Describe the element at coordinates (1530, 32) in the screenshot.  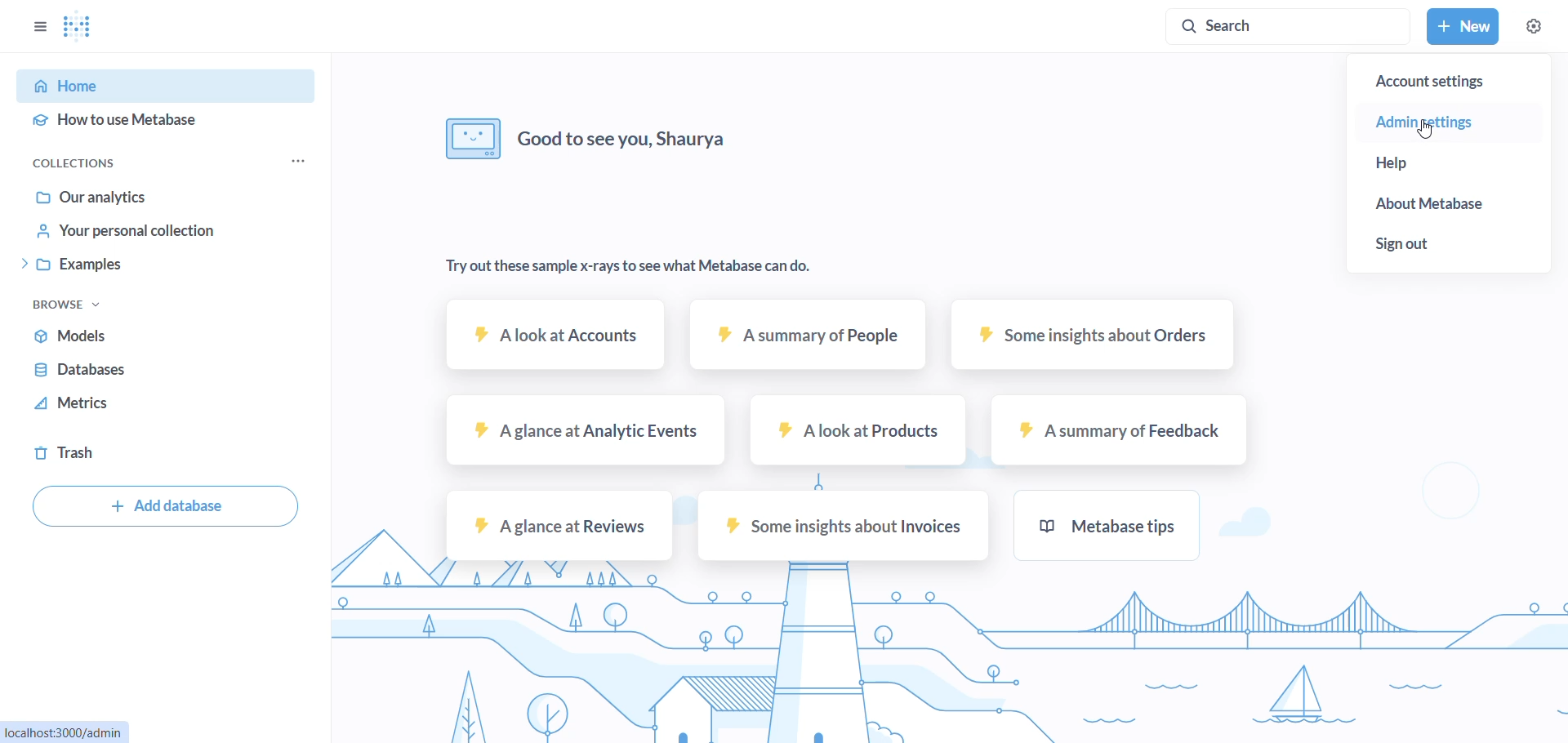
I see `cursor` at that location.